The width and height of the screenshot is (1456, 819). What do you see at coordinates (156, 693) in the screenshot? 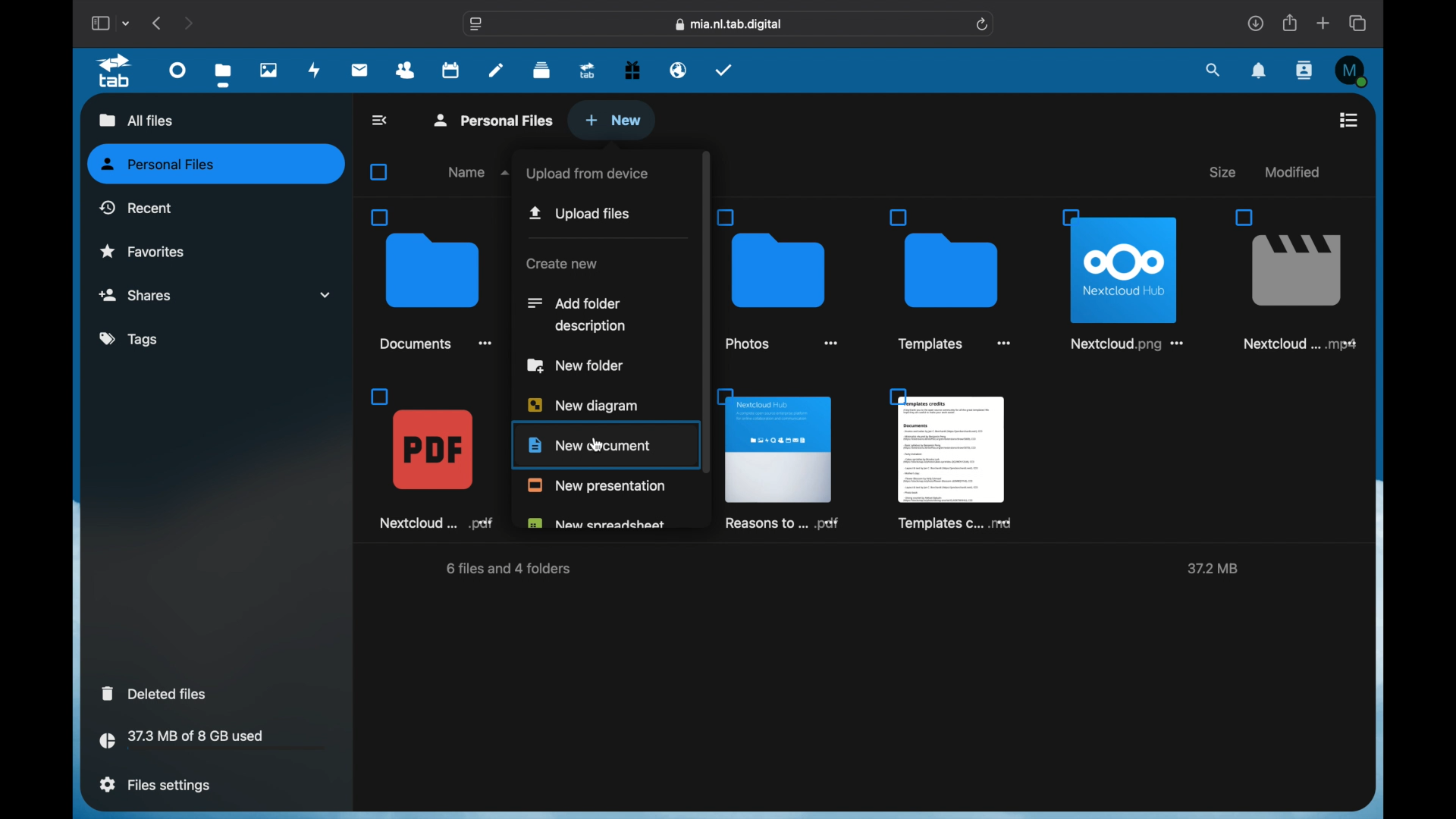
I see `deleted` at bounding box center [156, 693].